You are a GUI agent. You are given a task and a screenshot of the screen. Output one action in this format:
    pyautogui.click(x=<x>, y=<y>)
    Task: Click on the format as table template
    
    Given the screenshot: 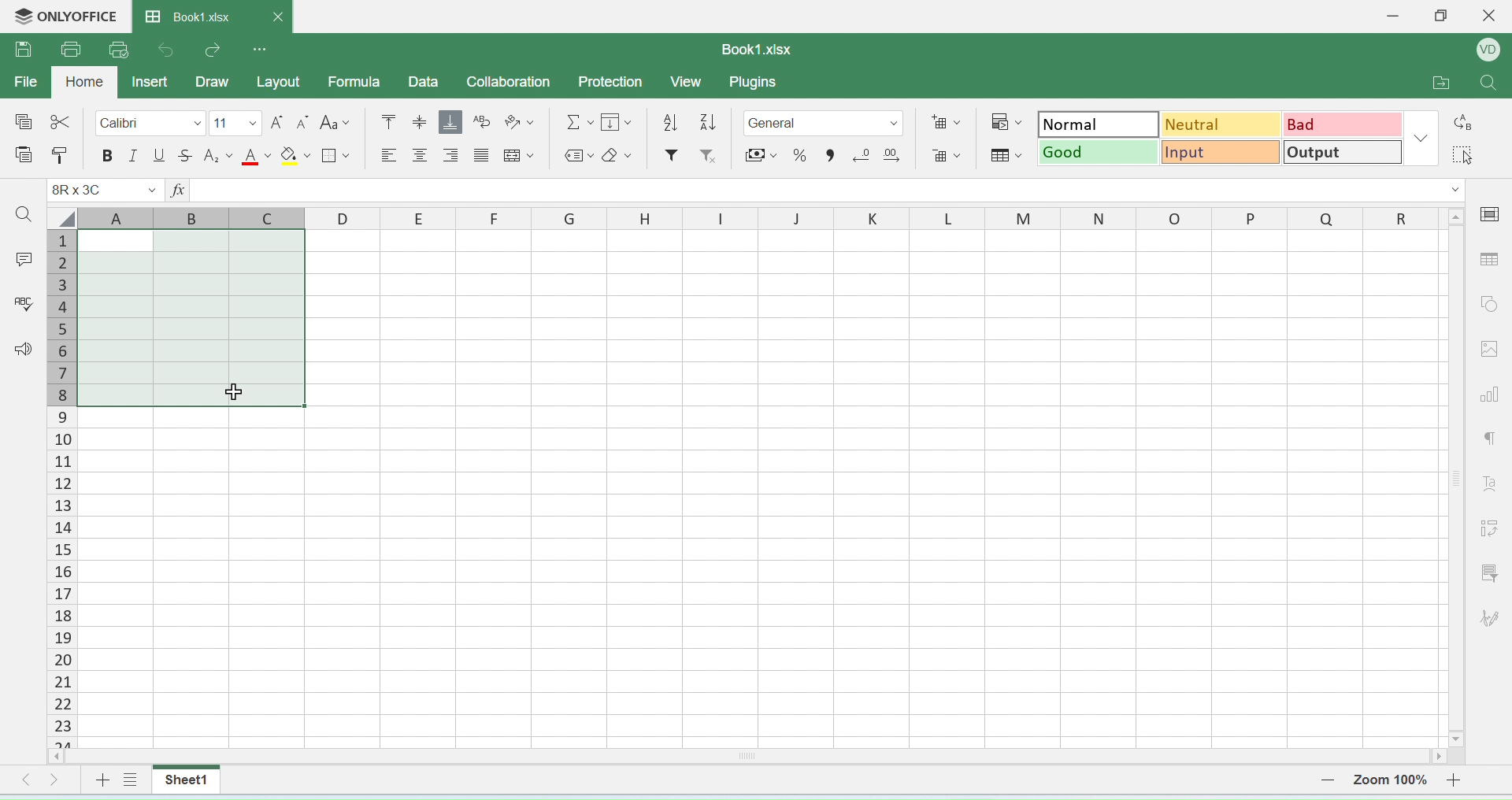 What is the action you would take?
    pyautogui.click(x=1003, y=153)
    